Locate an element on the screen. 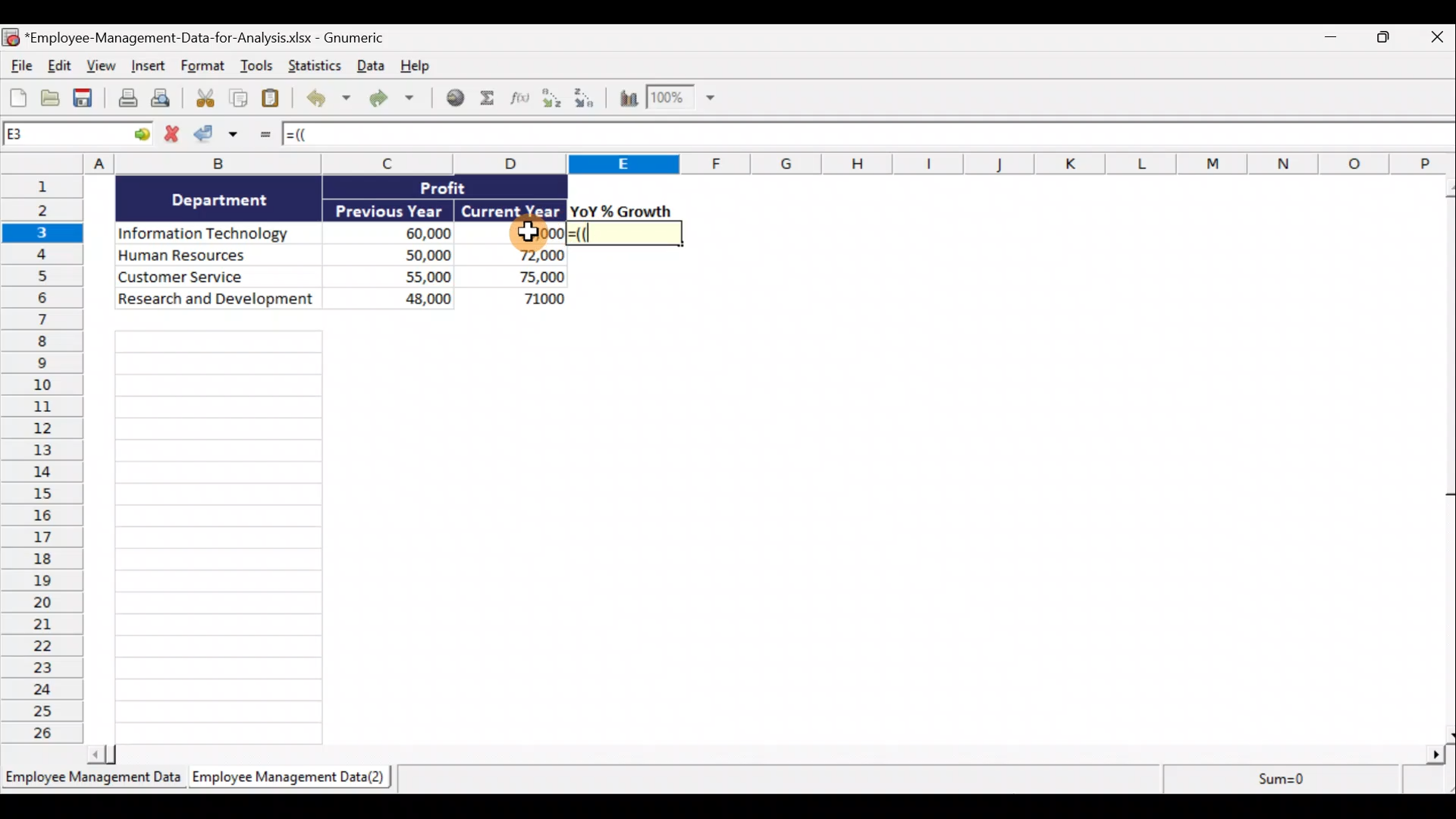  View is located at coordinates (99, 65).